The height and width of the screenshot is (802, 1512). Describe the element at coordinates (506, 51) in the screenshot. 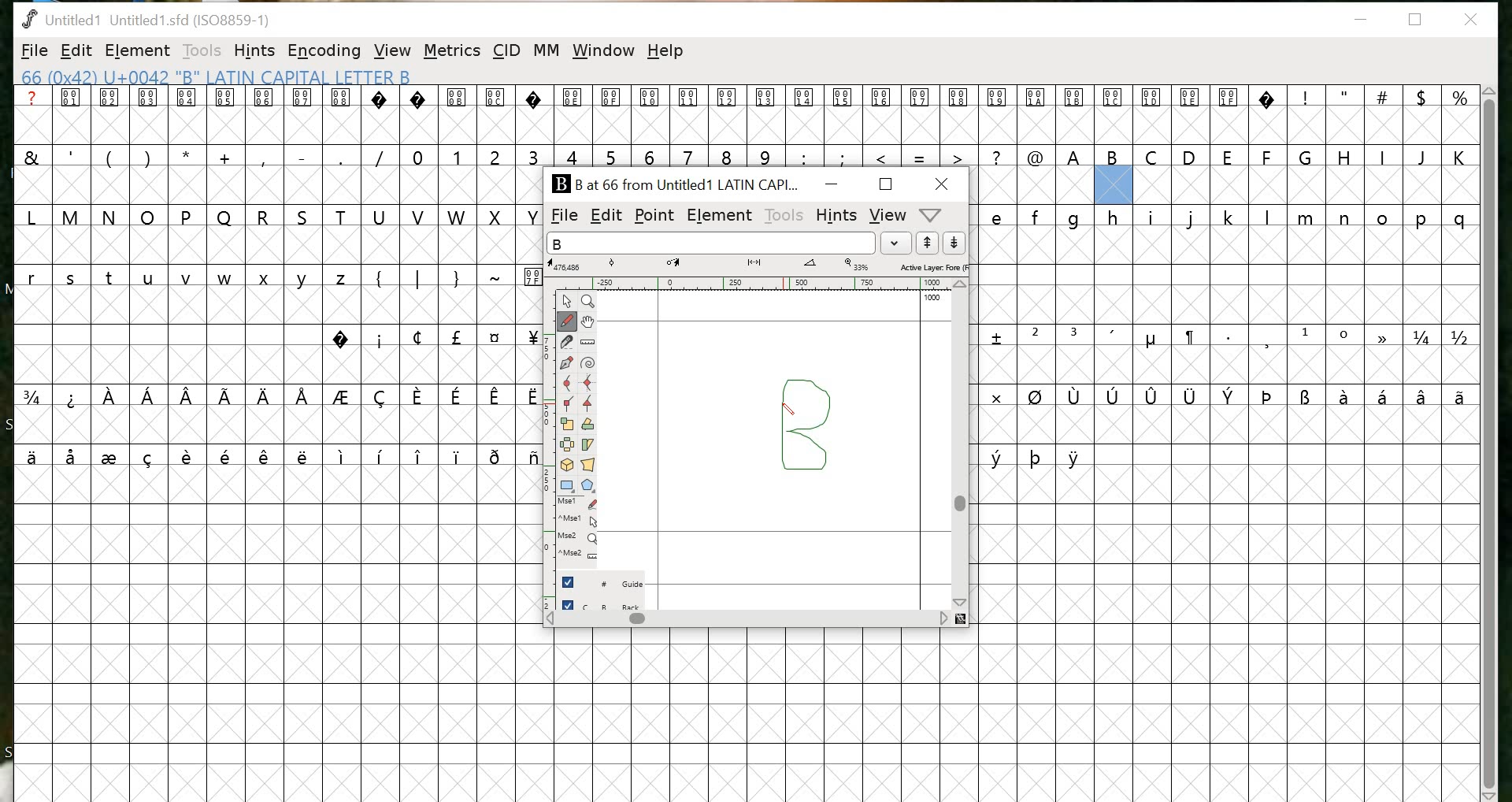

I see `CID` at that location.